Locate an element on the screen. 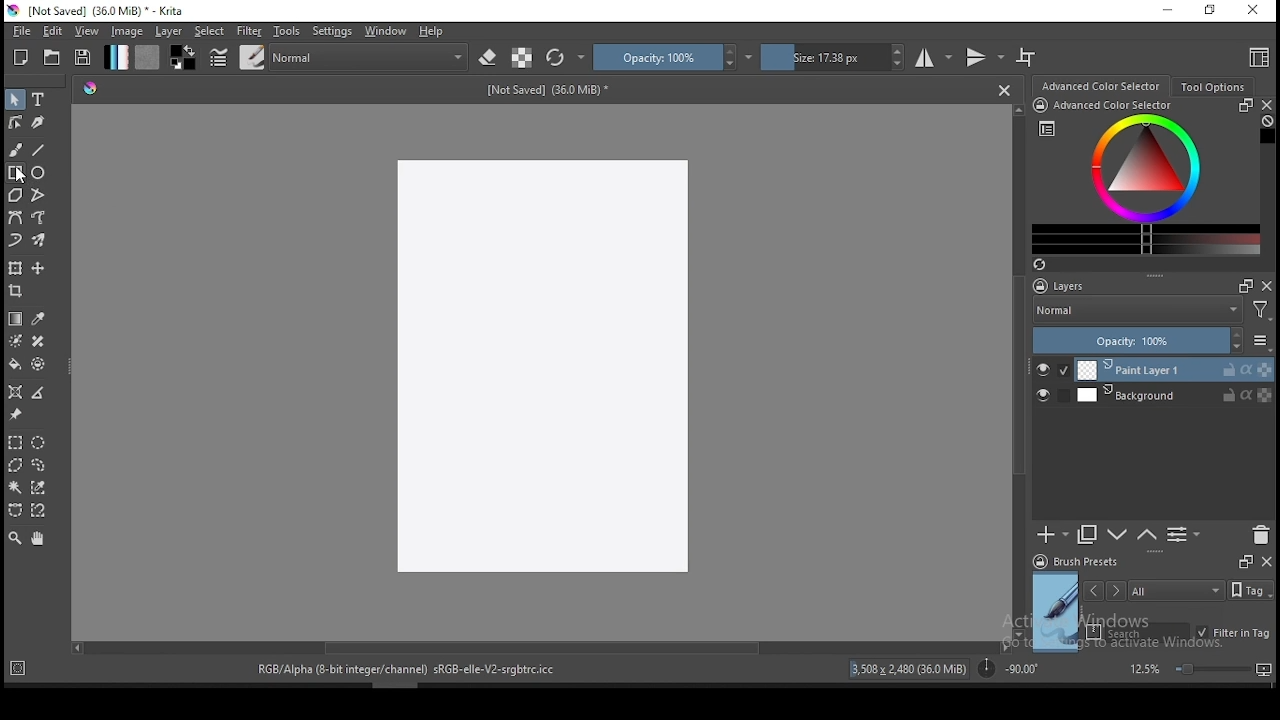 This screenshot has height=720, width=1280. icon and file name is located at coordinates (99, 11).